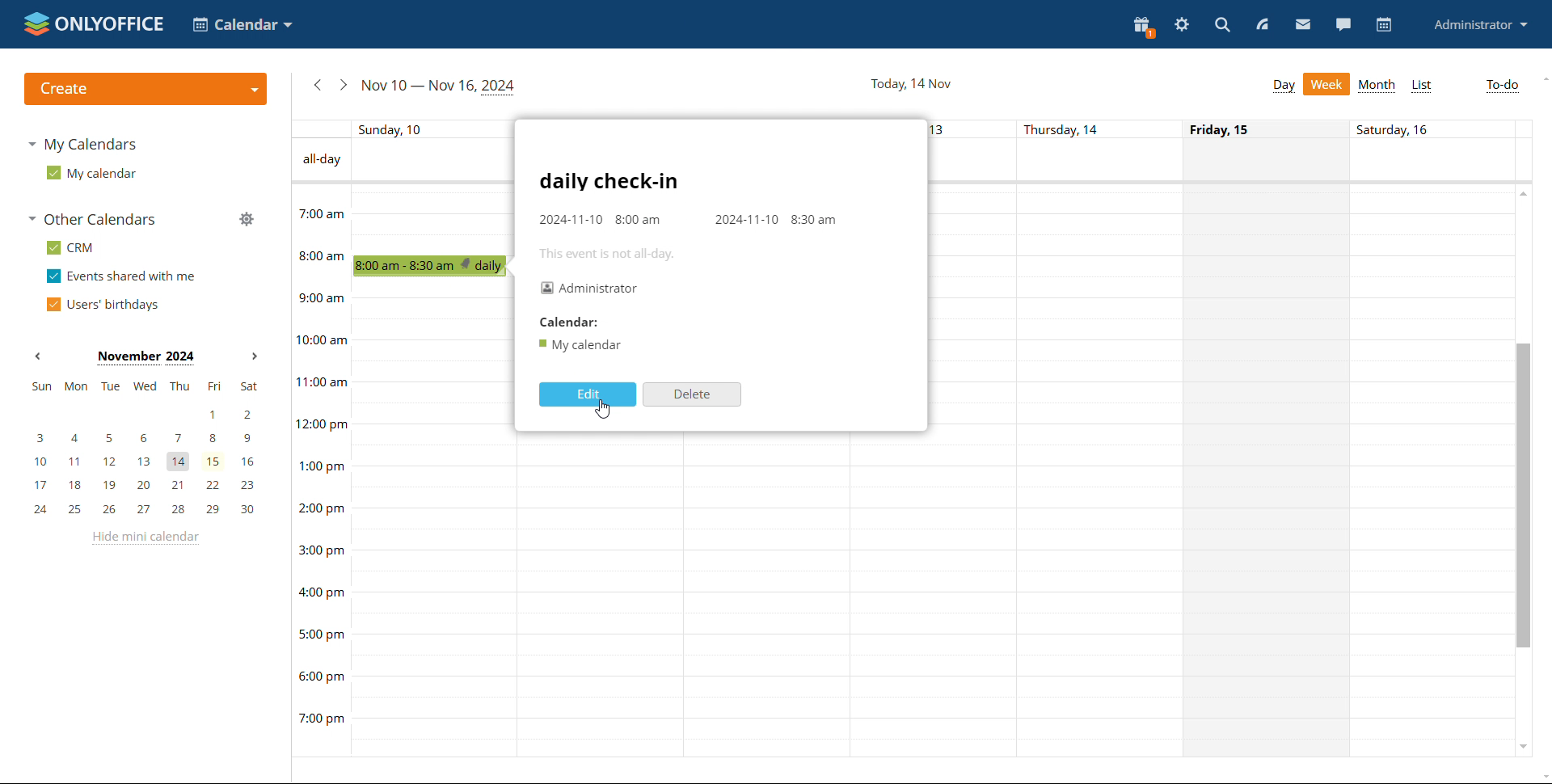 The height and width of the screenshot is (784, 1552). Describe the element at coordinates (900, 129) in the screenshot. I see `individual date` at that location.